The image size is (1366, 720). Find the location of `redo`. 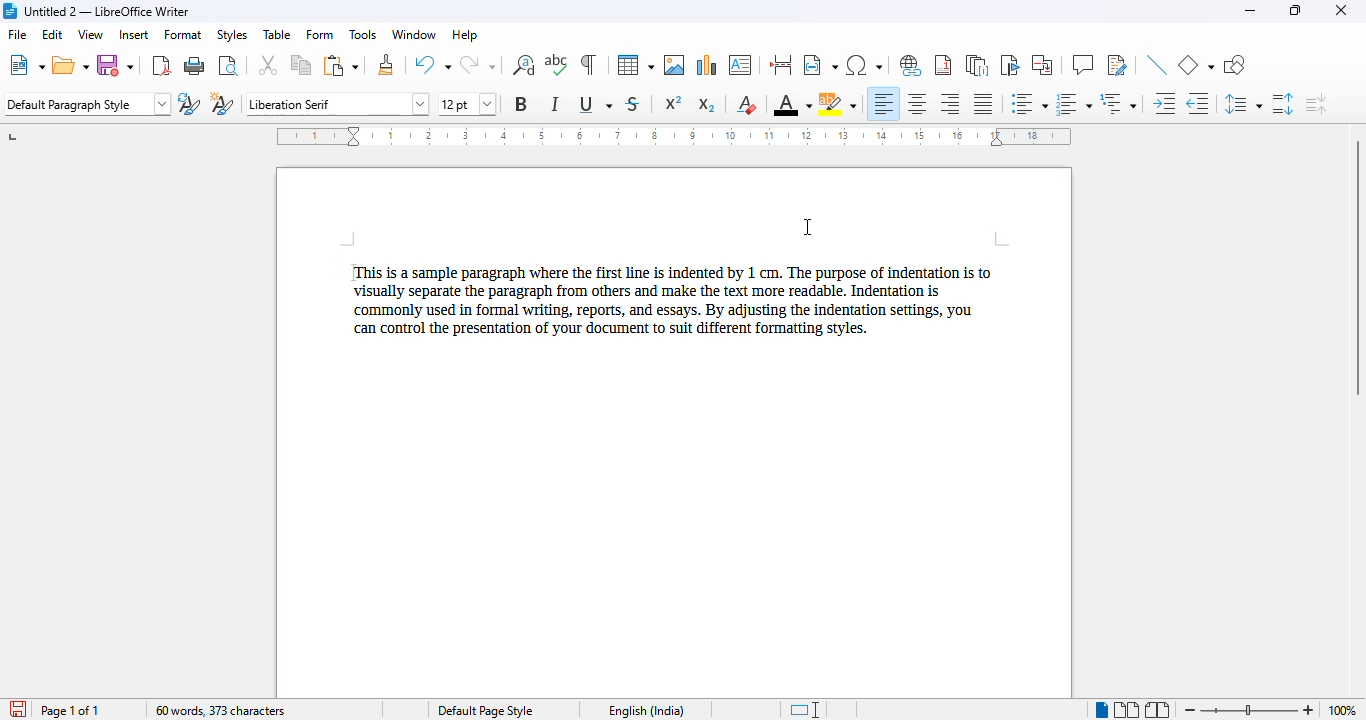

redo is located at coordinates (477, 64).